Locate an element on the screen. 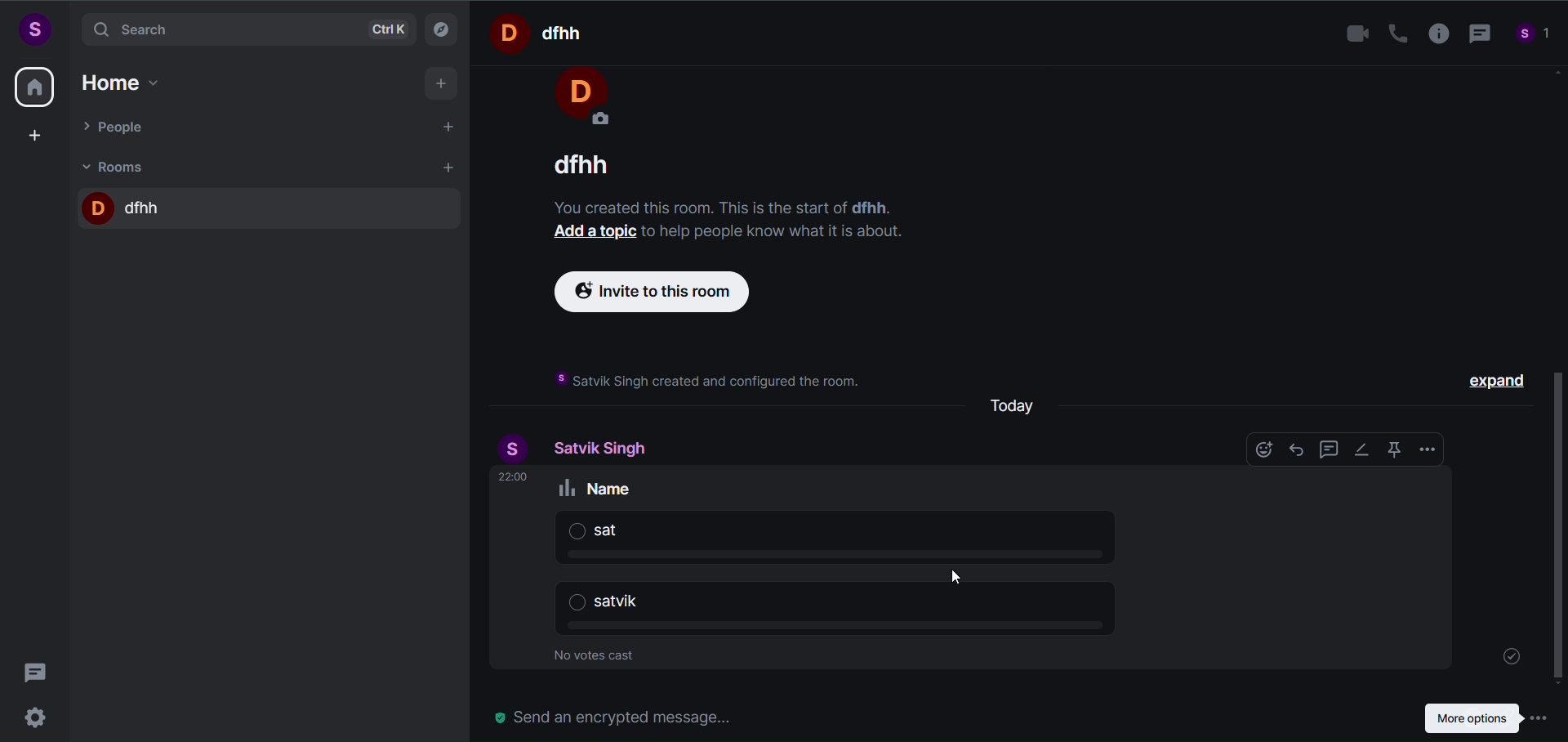 This screenshot has width=1568, height=742. cursor is located at coordinates (960, 579).